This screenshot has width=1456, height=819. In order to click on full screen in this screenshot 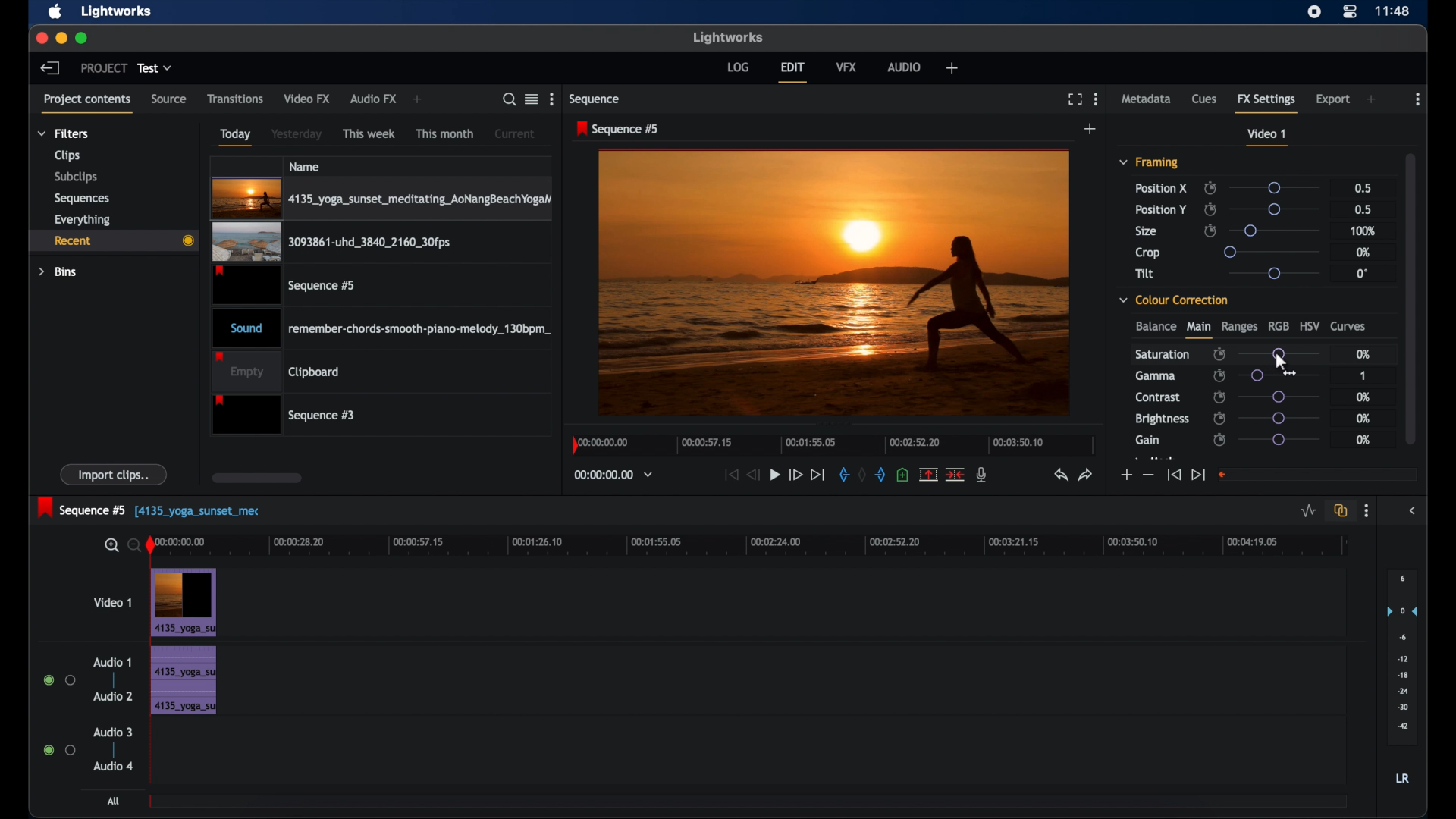, I will do `click(1075, 99)`.